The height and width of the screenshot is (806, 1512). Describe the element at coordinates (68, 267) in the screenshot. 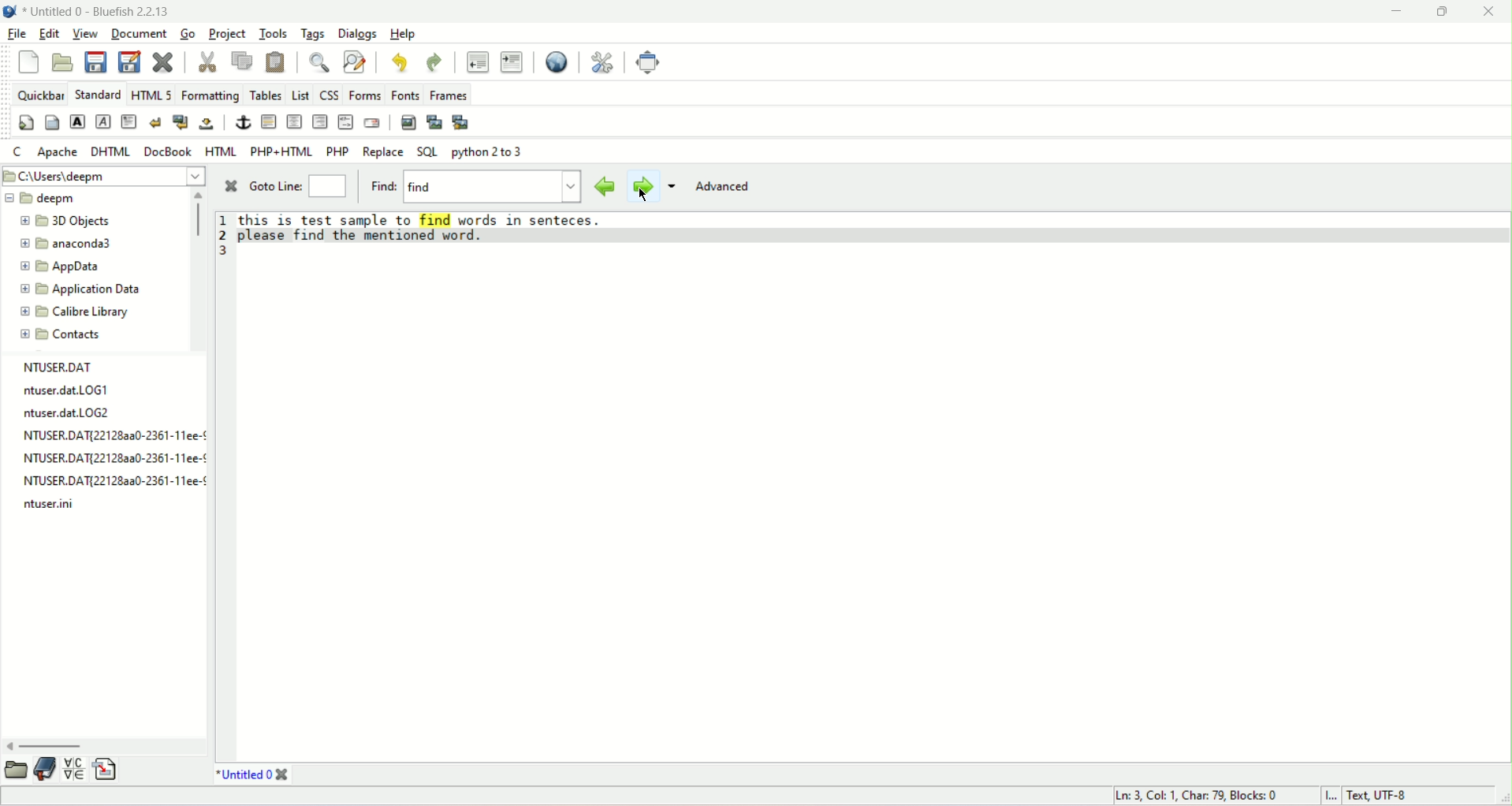

I see `appdata` at that location.